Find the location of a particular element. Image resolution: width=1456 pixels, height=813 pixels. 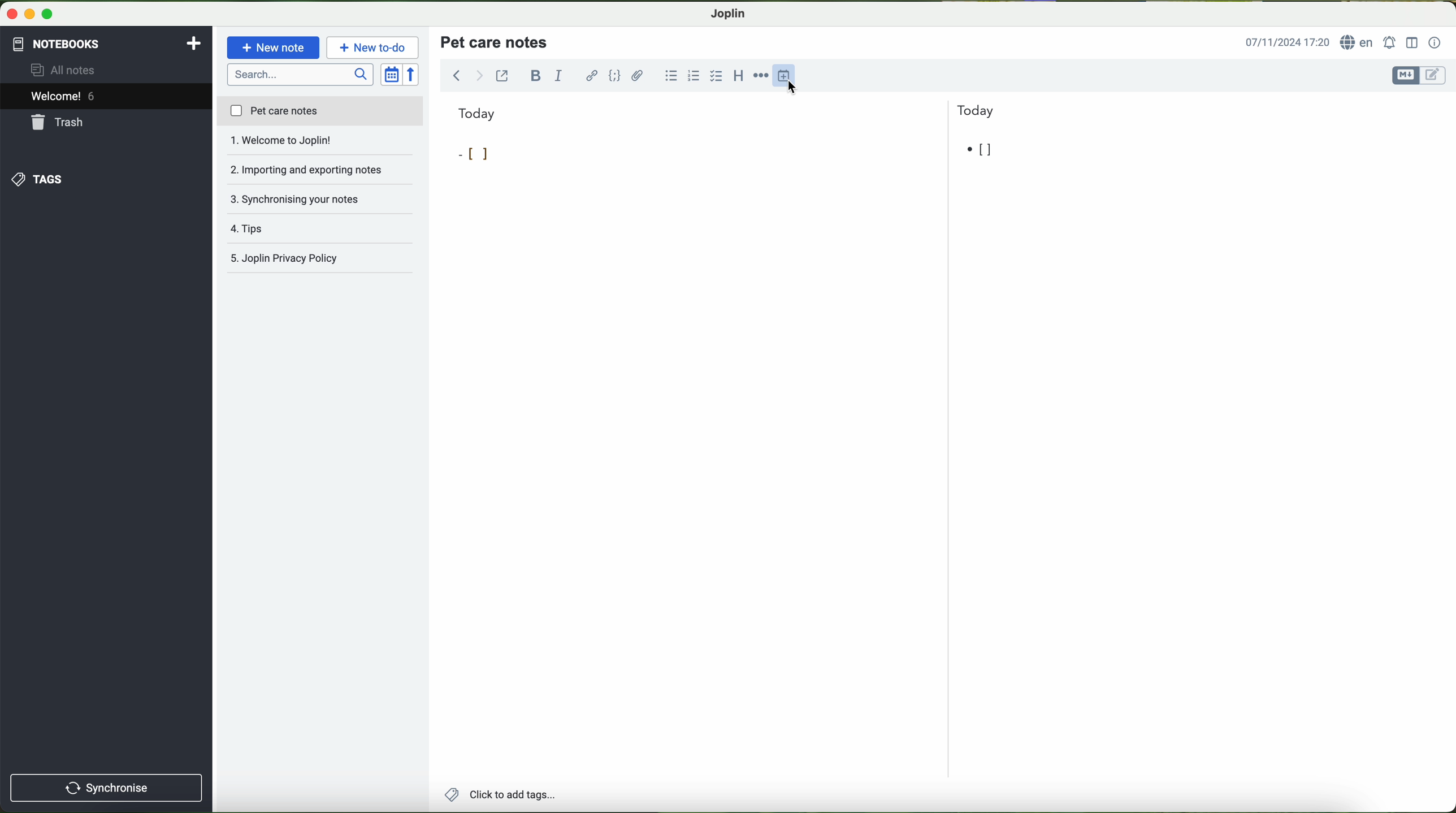

cursor is located at coordinates (798, 90).